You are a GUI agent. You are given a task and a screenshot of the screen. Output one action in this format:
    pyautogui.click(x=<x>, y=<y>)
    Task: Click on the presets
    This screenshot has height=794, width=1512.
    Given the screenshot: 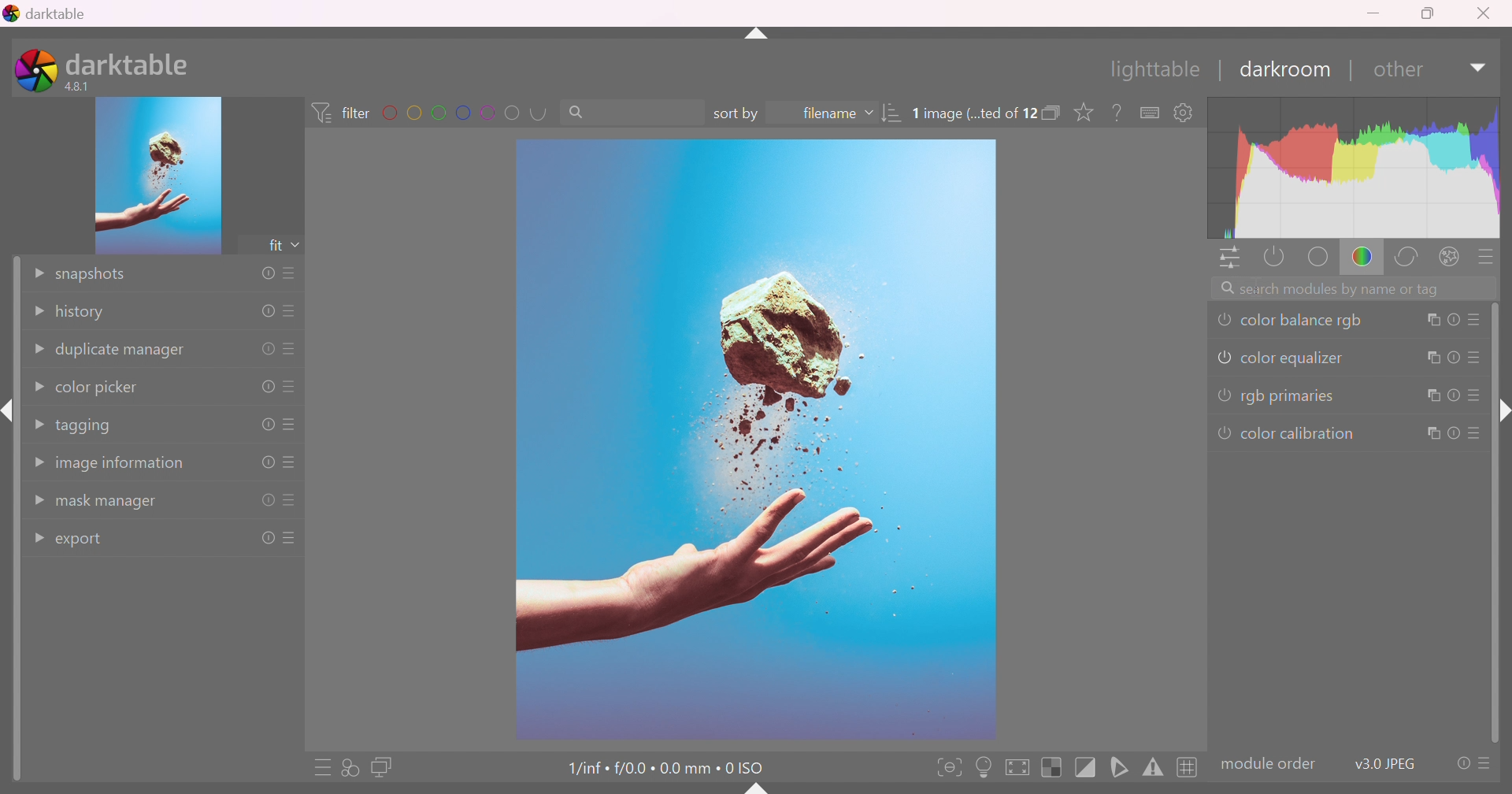 What is the action you would take?
    pyautogui.click(x=291, y=463)
    